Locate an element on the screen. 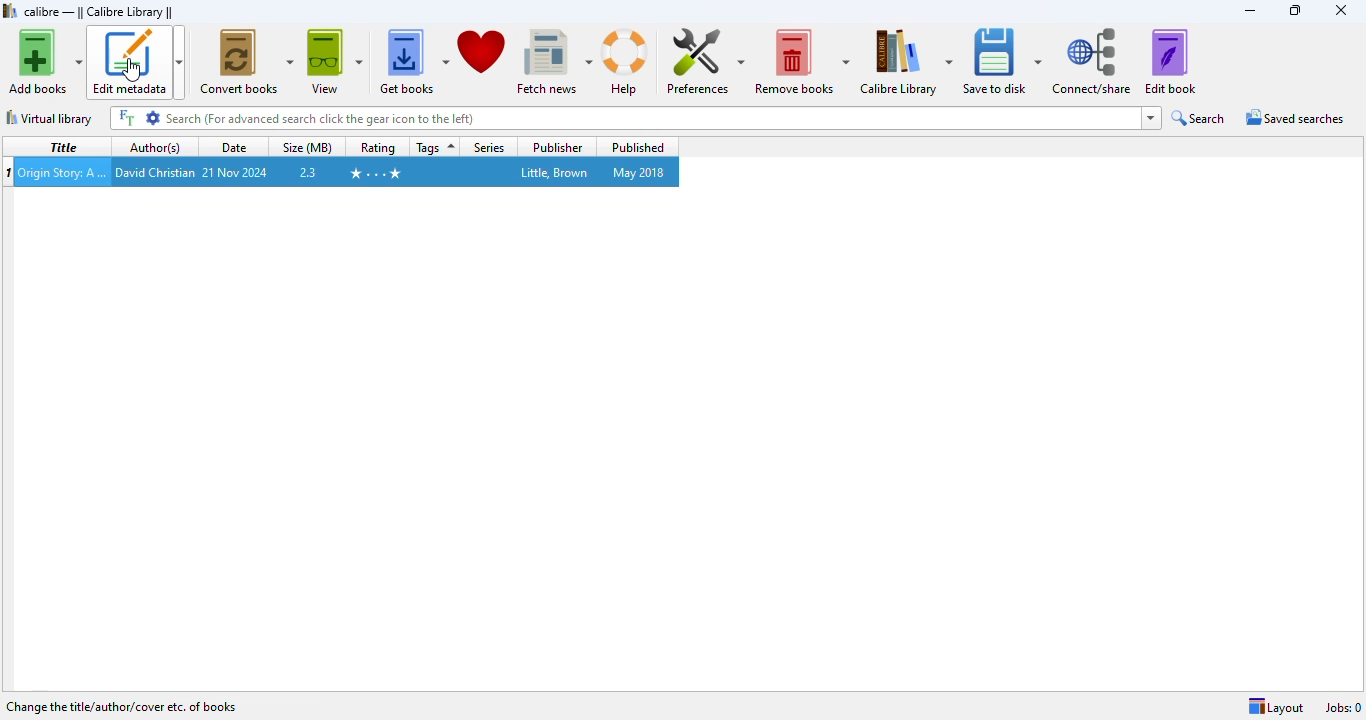  donate to support calibre is located at coordinates (482, 52).